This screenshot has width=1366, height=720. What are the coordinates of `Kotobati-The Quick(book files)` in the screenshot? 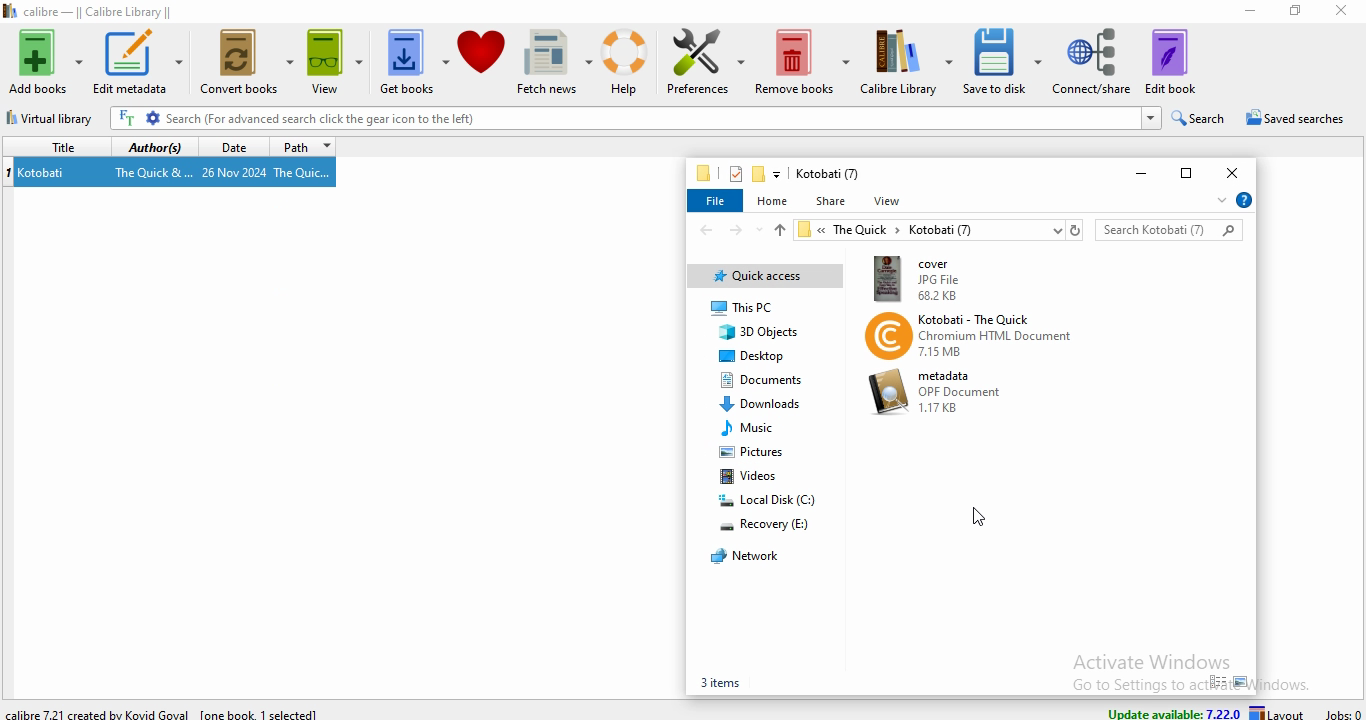 It's located at (970, 336).